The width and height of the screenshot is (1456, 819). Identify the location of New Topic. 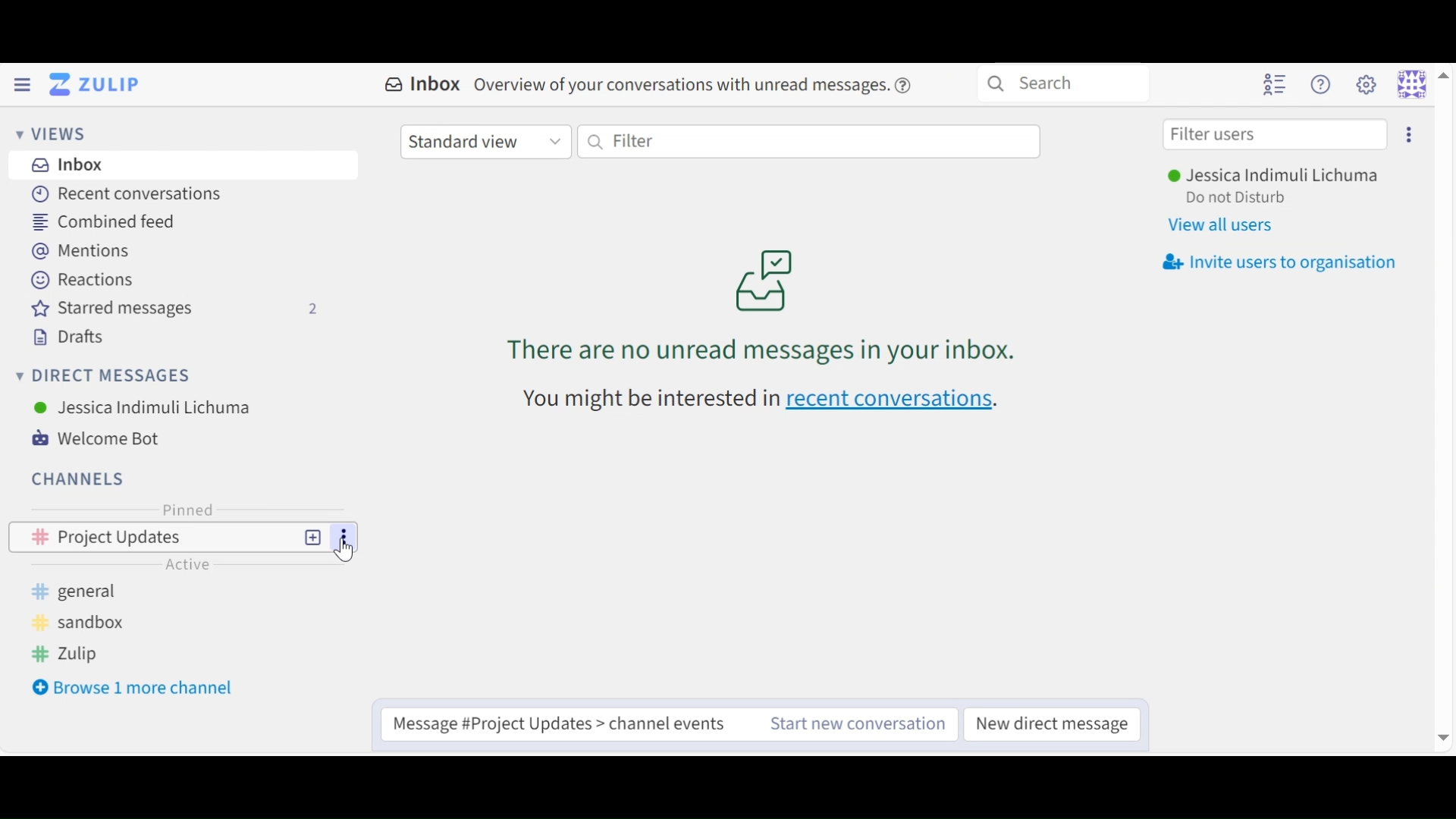
(313, 535).